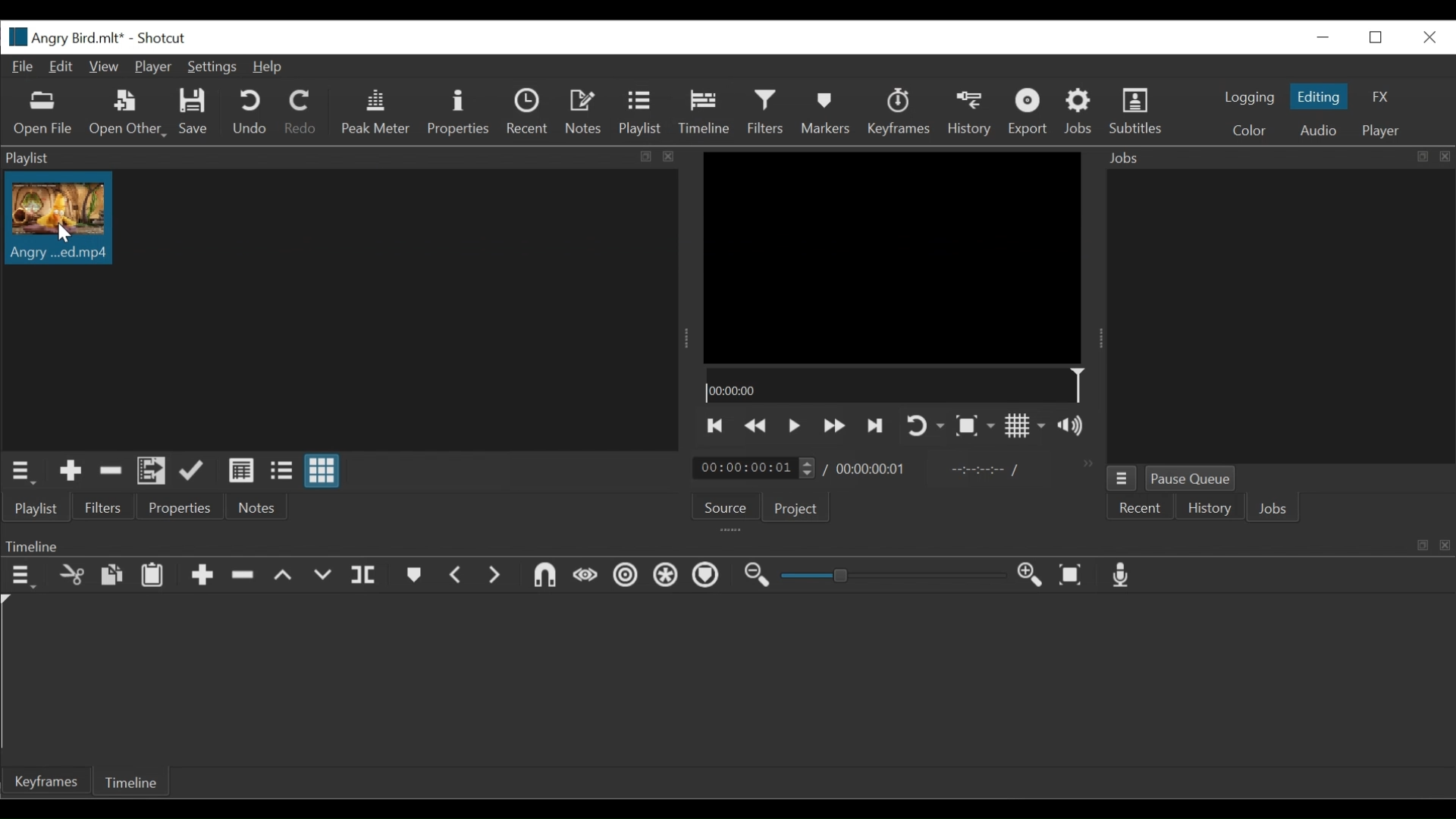  I want to click on Shotcut, so click(162, 39).